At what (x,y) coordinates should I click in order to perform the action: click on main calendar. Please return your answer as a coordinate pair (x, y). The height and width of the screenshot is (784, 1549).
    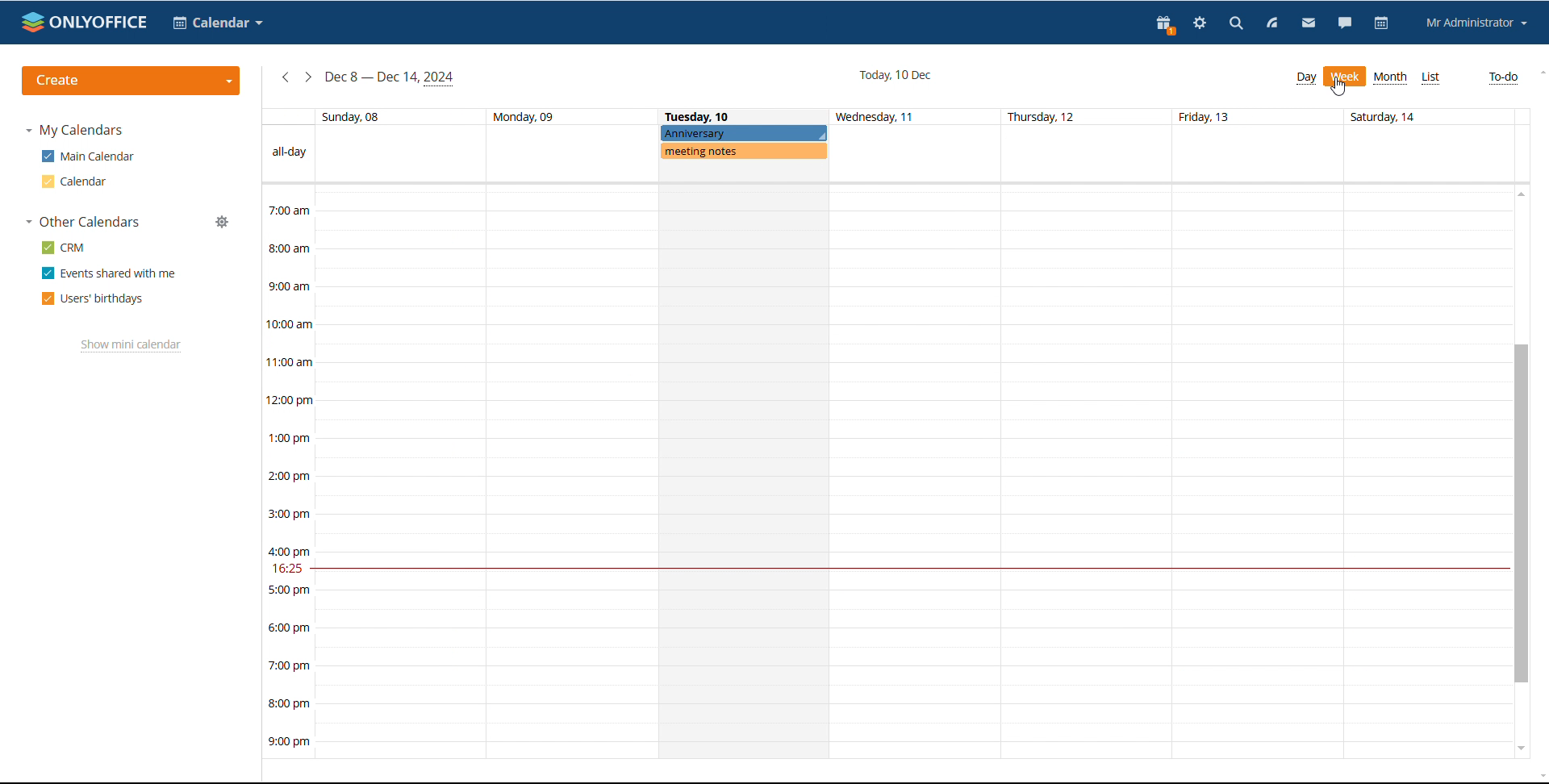
    Looking at the image, I should click on (88, 156).